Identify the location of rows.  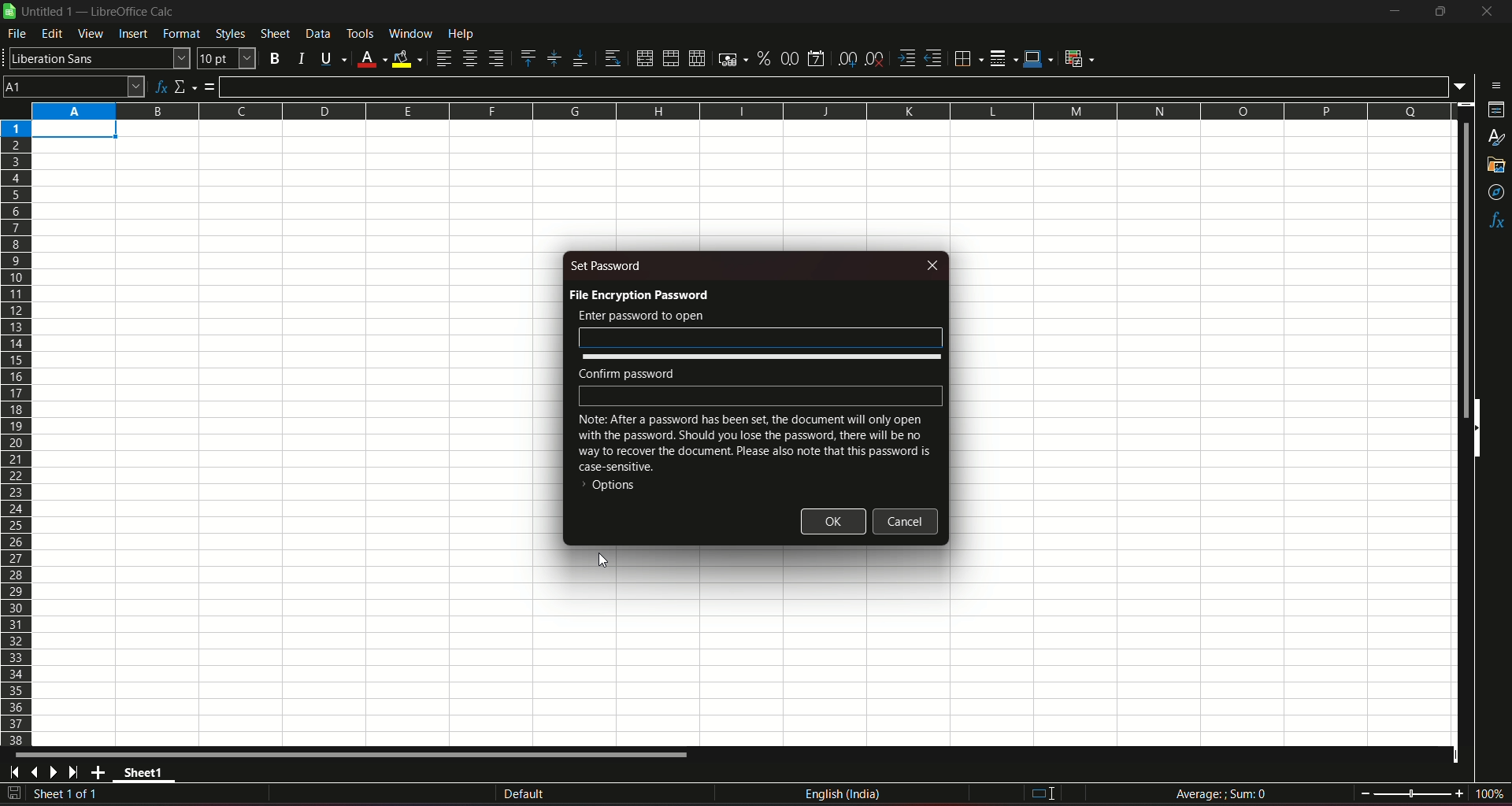
(16, 433).